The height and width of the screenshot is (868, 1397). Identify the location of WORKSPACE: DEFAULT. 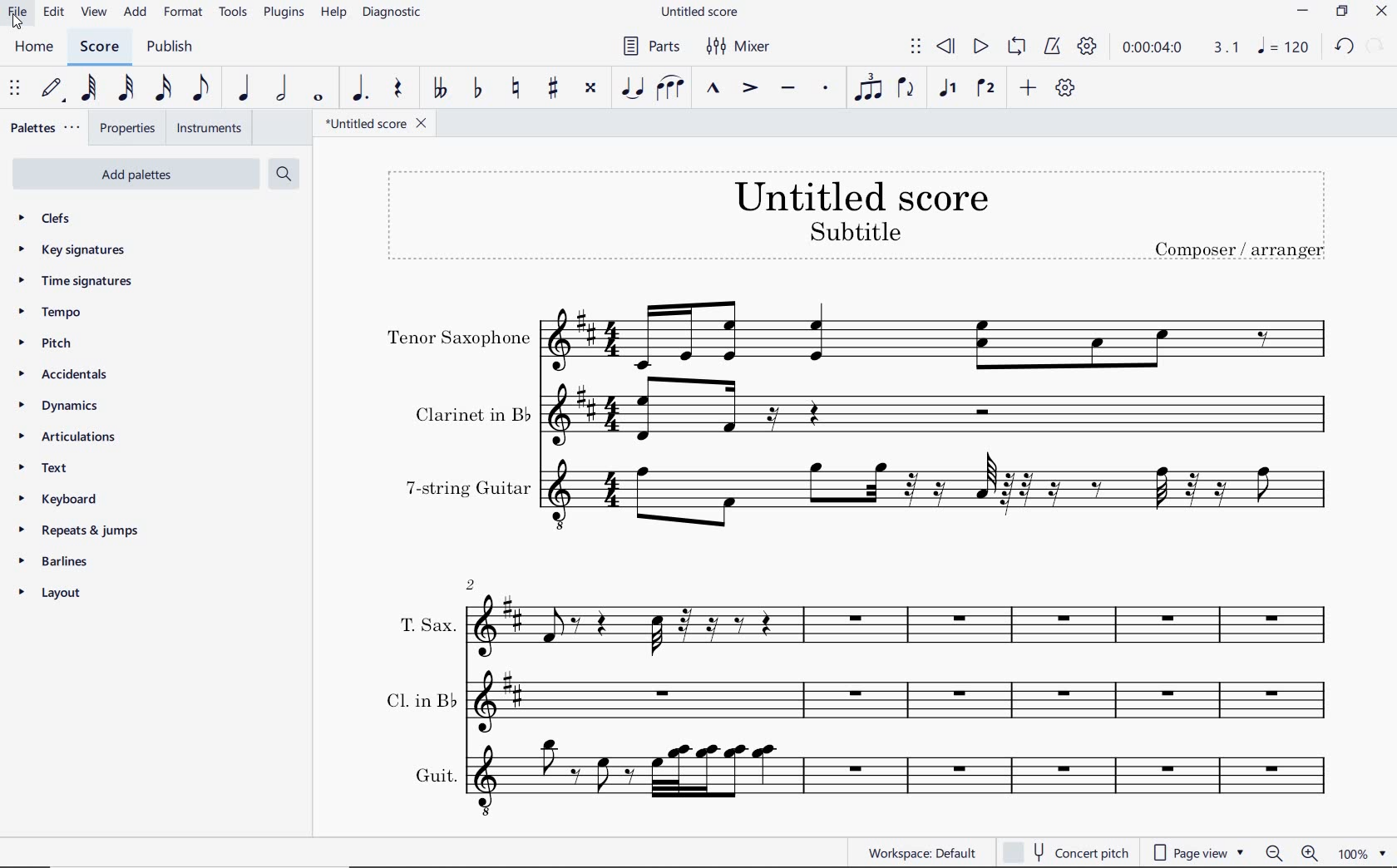
(903, 852).